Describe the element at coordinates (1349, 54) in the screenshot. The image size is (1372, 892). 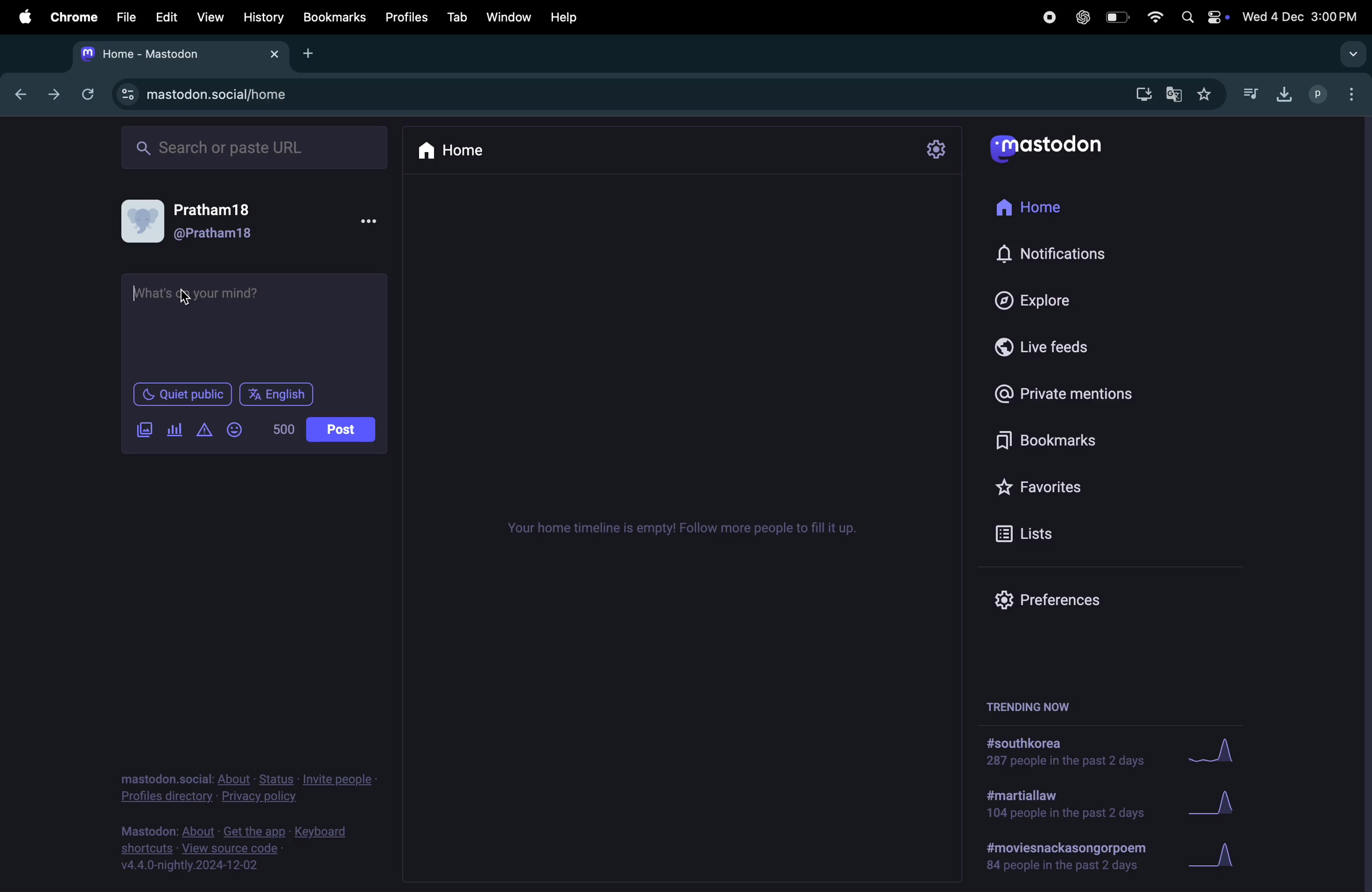
I see `drop down` at that location.